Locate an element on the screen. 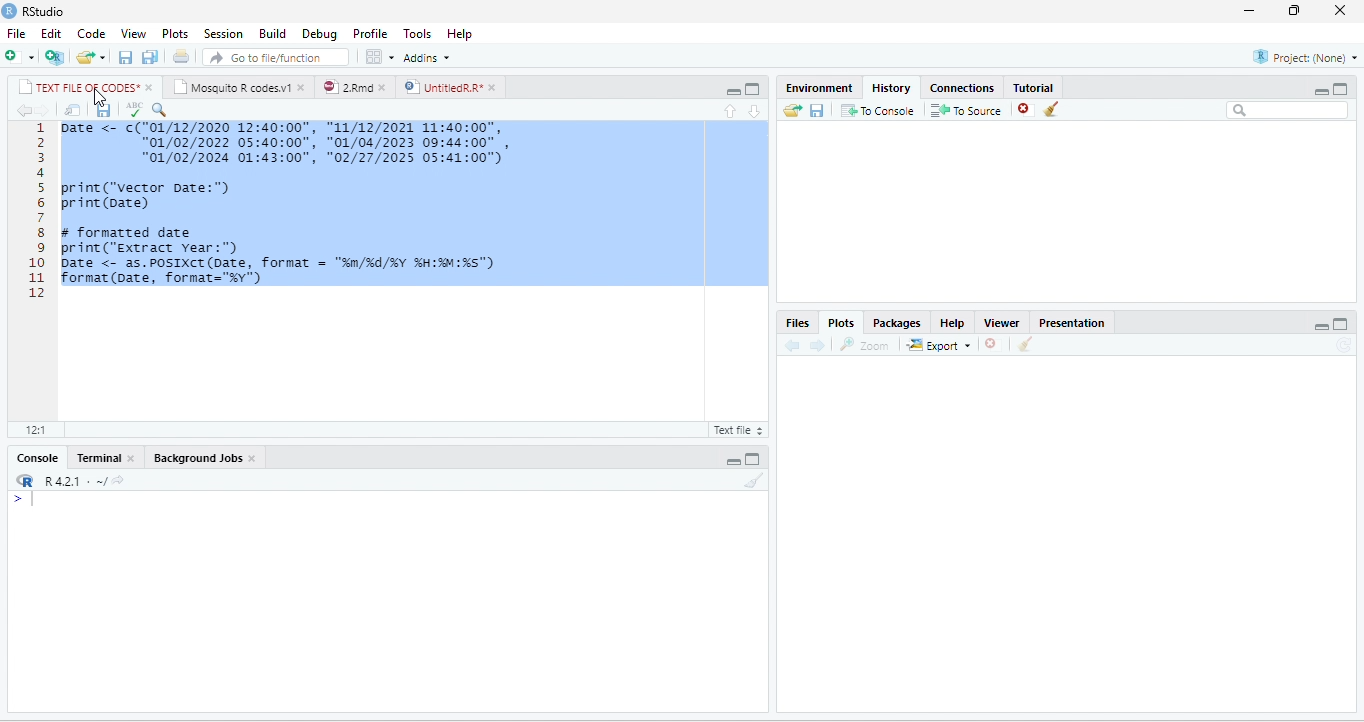 This screenshot has width=1364, height=722. History is located at coordinates (891, 89).